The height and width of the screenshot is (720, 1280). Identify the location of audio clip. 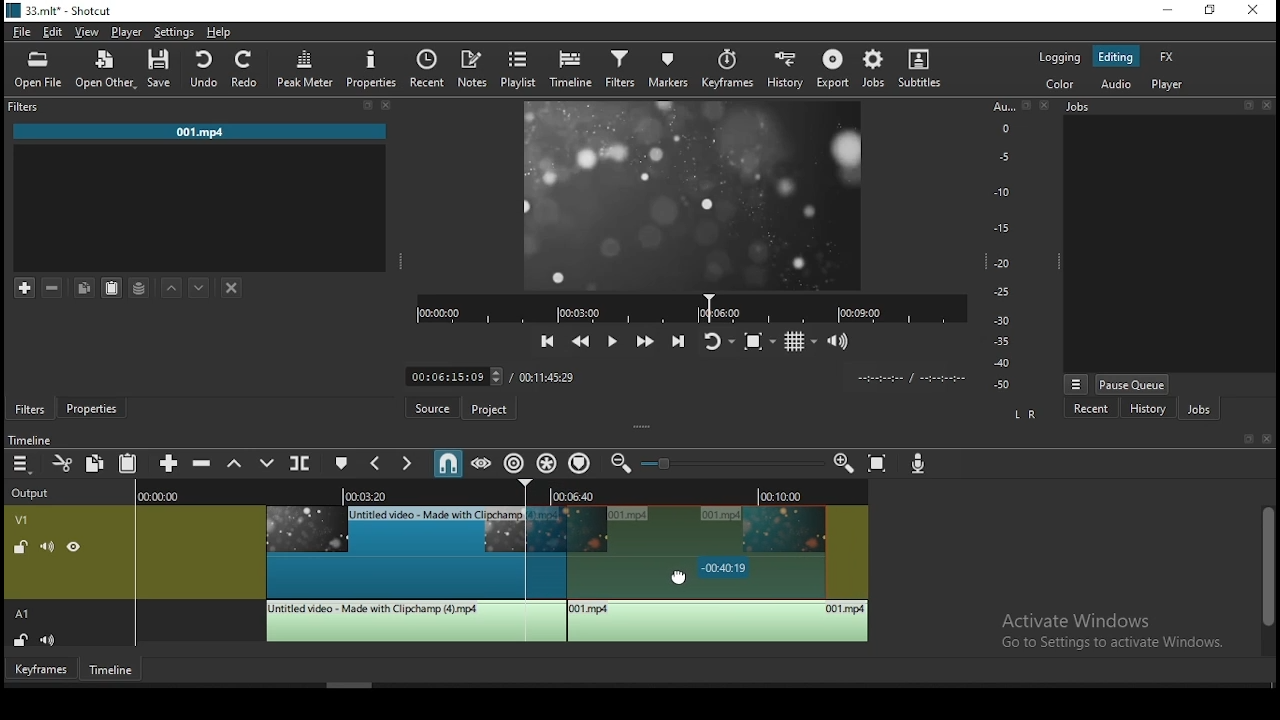
(414, 621).